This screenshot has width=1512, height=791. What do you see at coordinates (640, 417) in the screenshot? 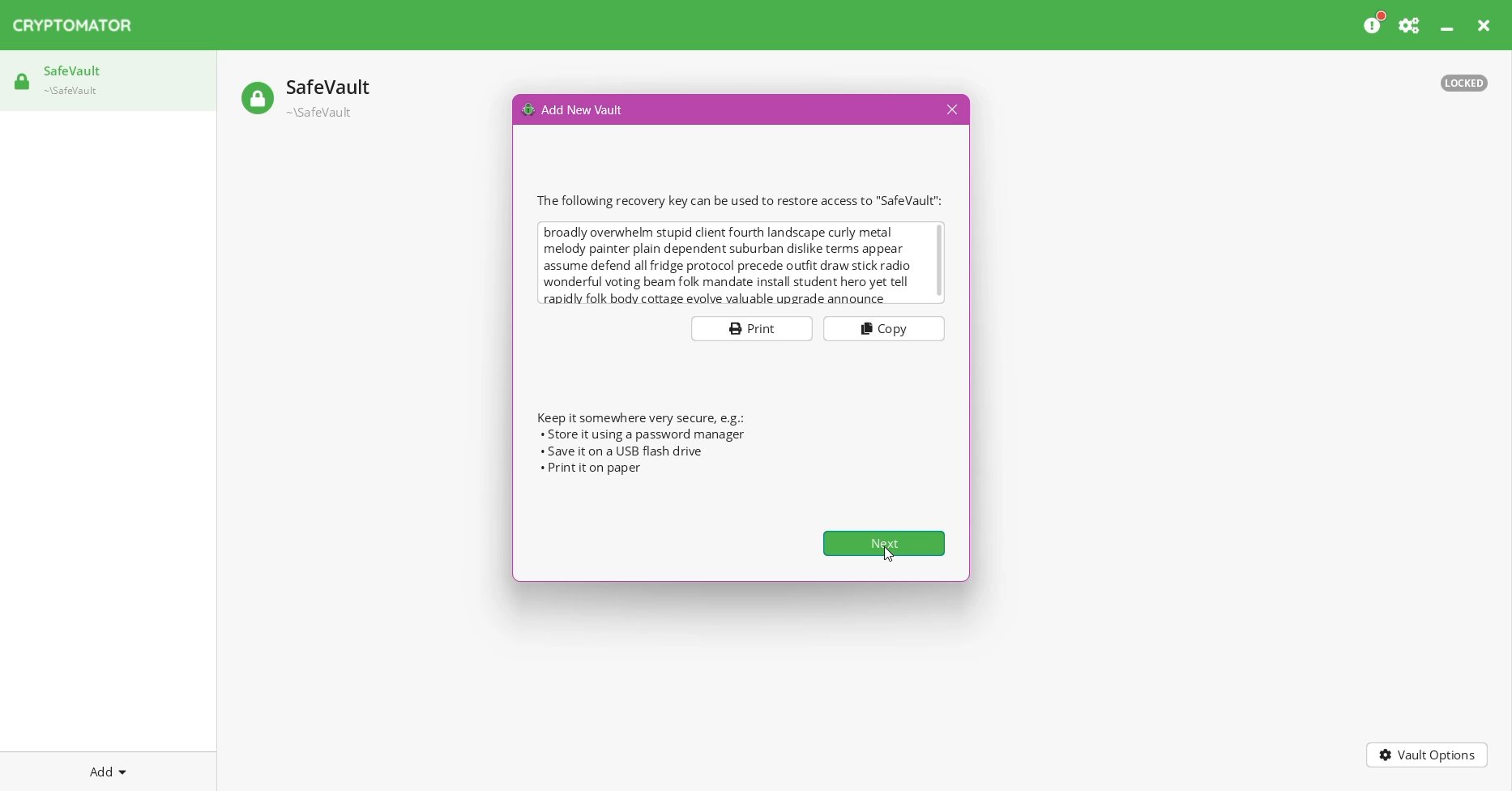
I see `Keep it somewhere very secure` at bounding box center [640, 417].